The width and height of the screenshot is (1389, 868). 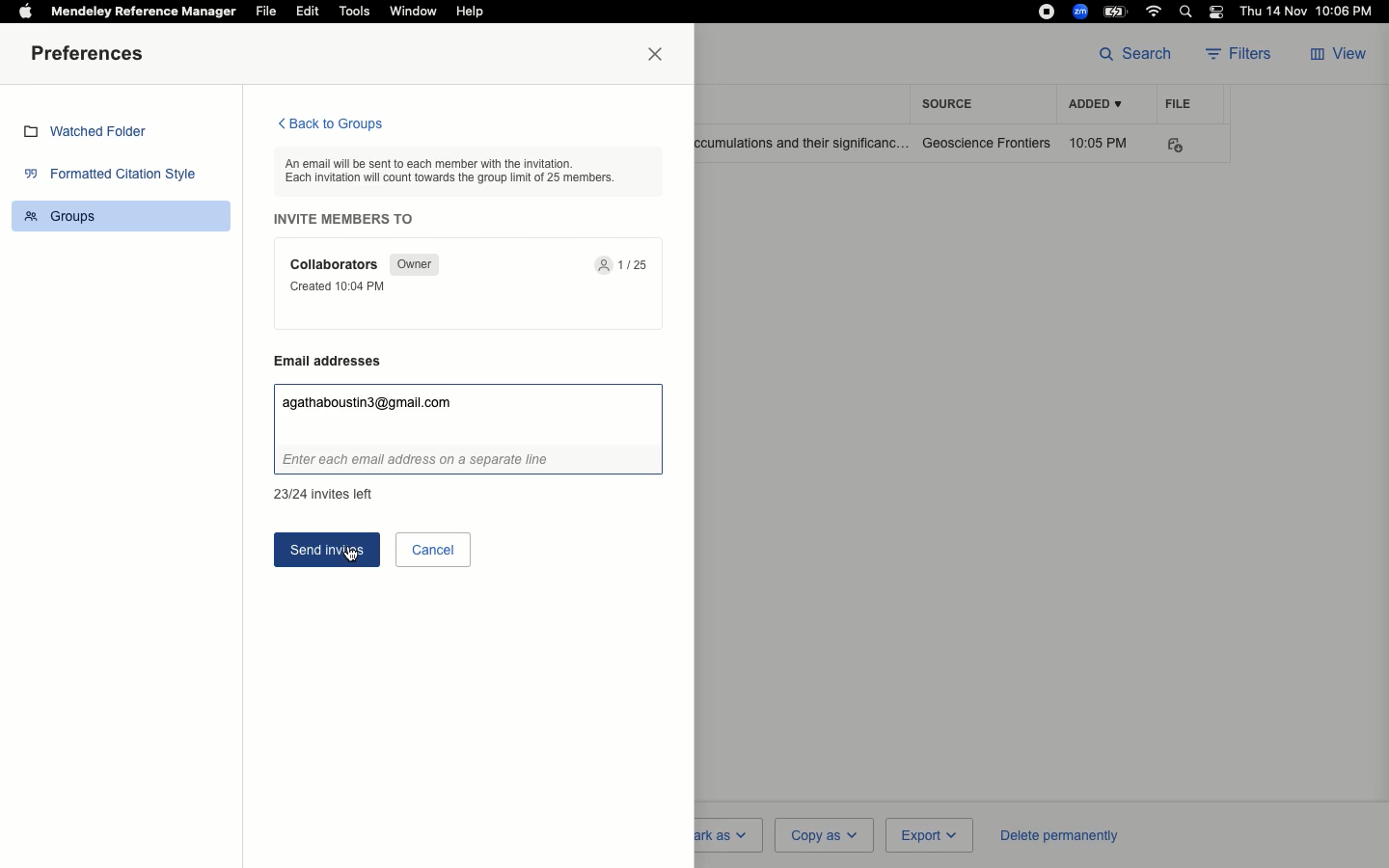 I want to click on Back to groups, so click(x=329, y=125).